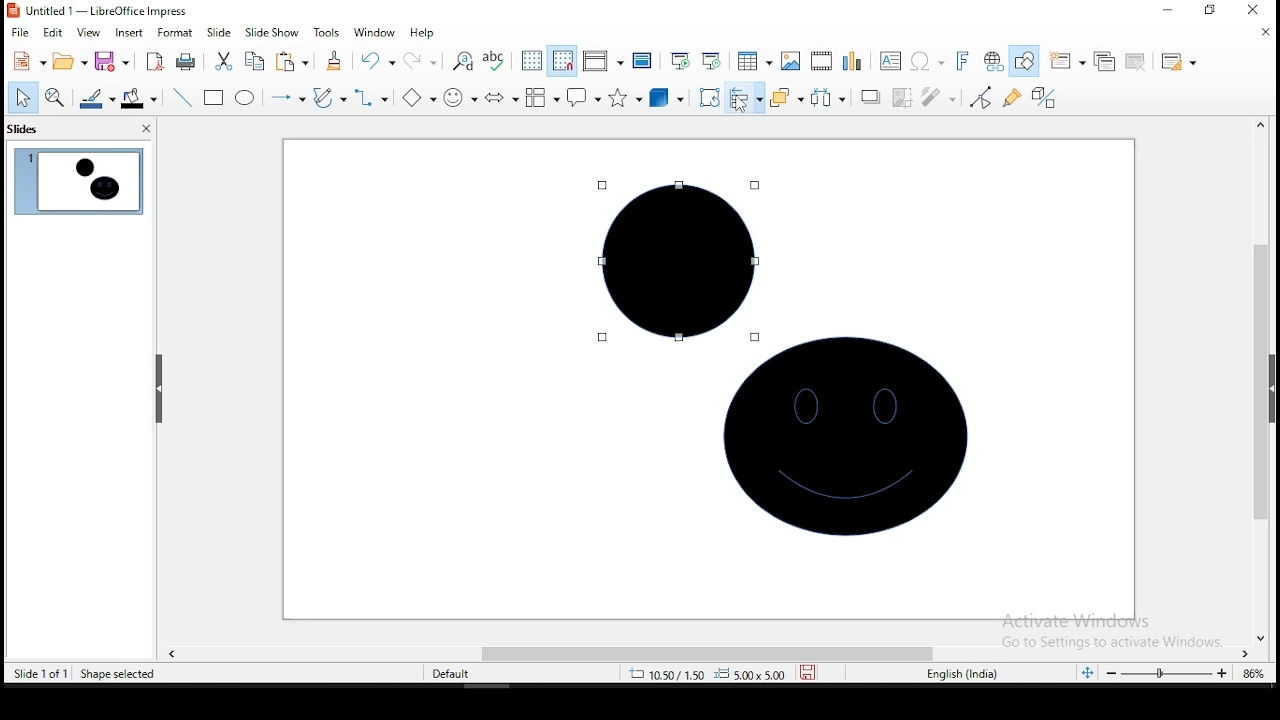  Describe the element at coordinates (827, 98) in the screenshot. I see `distribute` at that location.